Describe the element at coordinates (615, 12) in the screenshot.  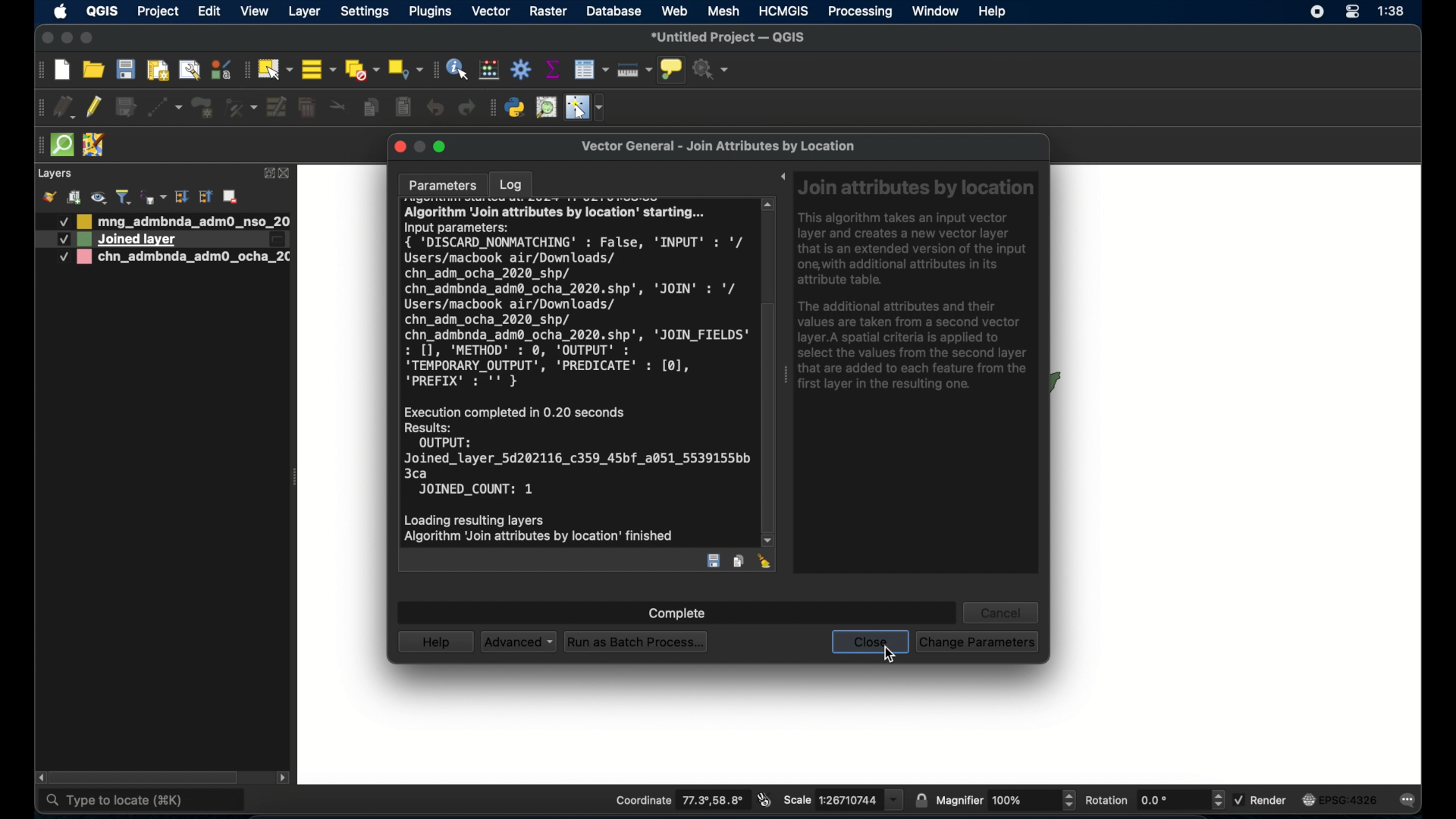
I see `database` at that location.